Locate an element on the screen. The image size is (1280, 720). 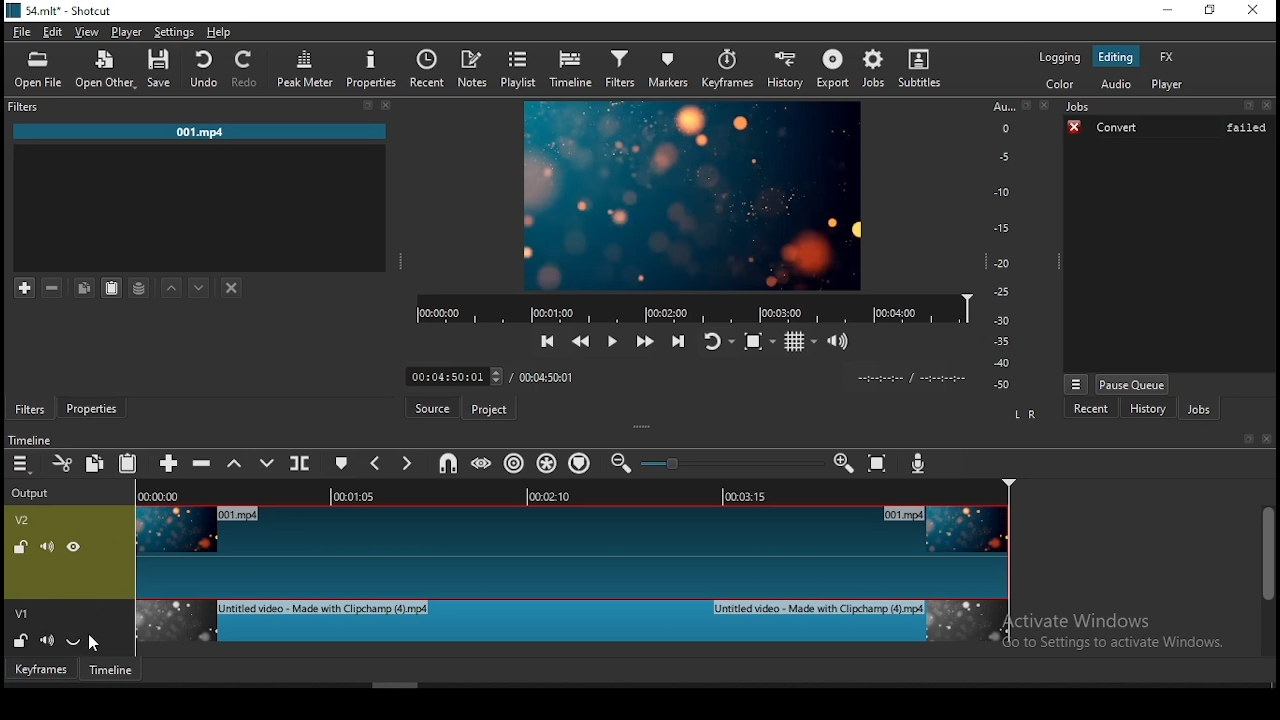
output is located at coordinates (33, 495).